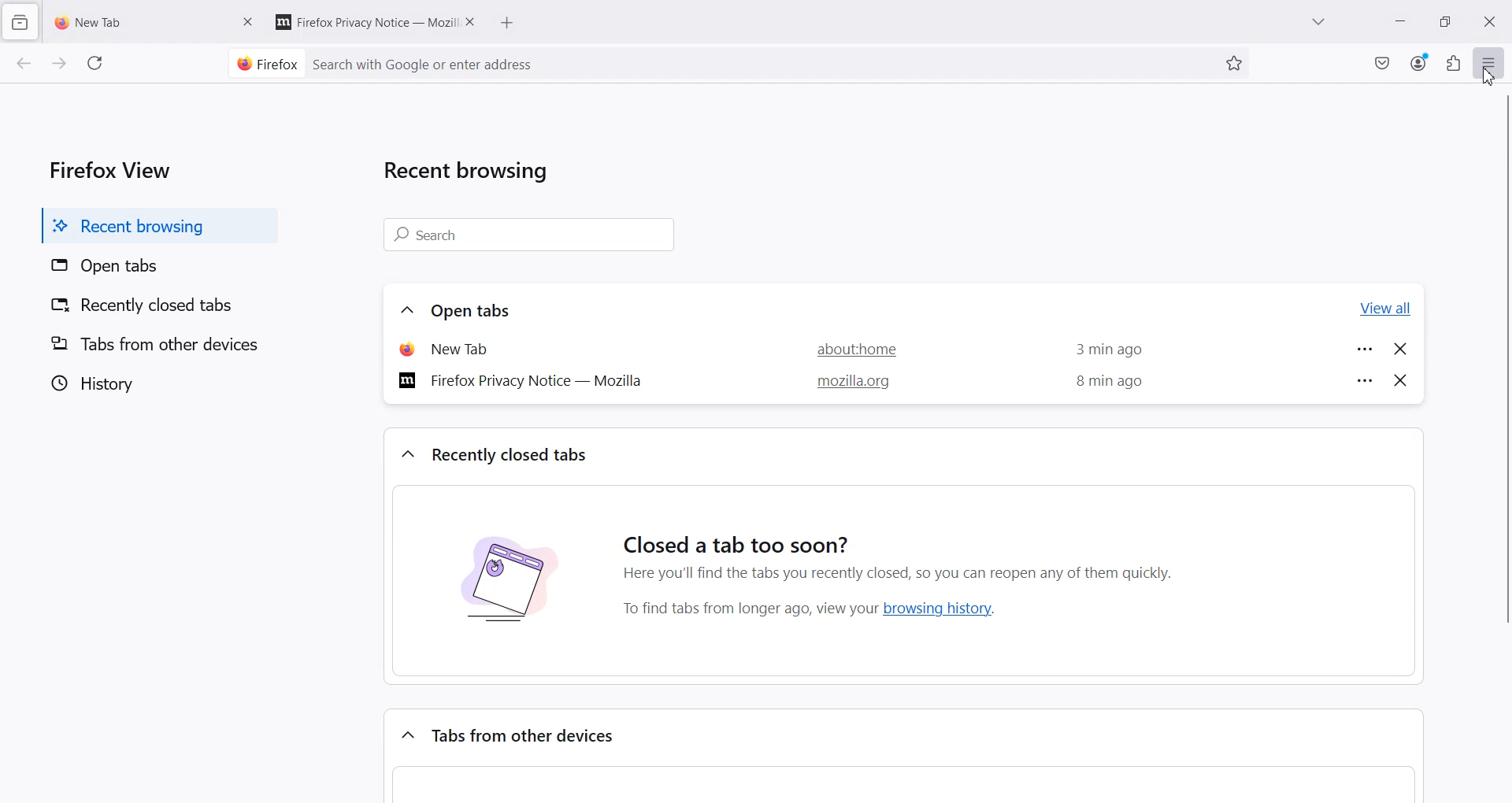  I want to click on Open tabs, so click(154, 267).